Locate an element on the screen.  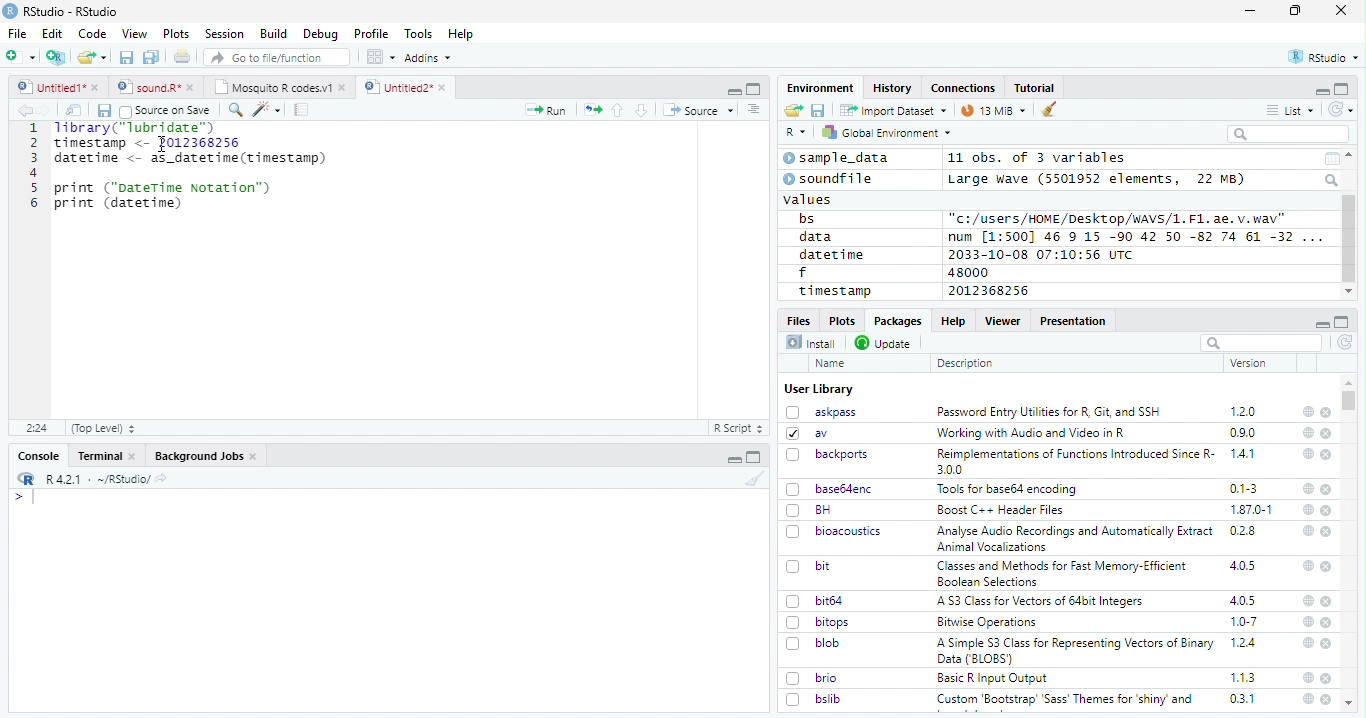
Numbering line is located at coordinates (32, 167).